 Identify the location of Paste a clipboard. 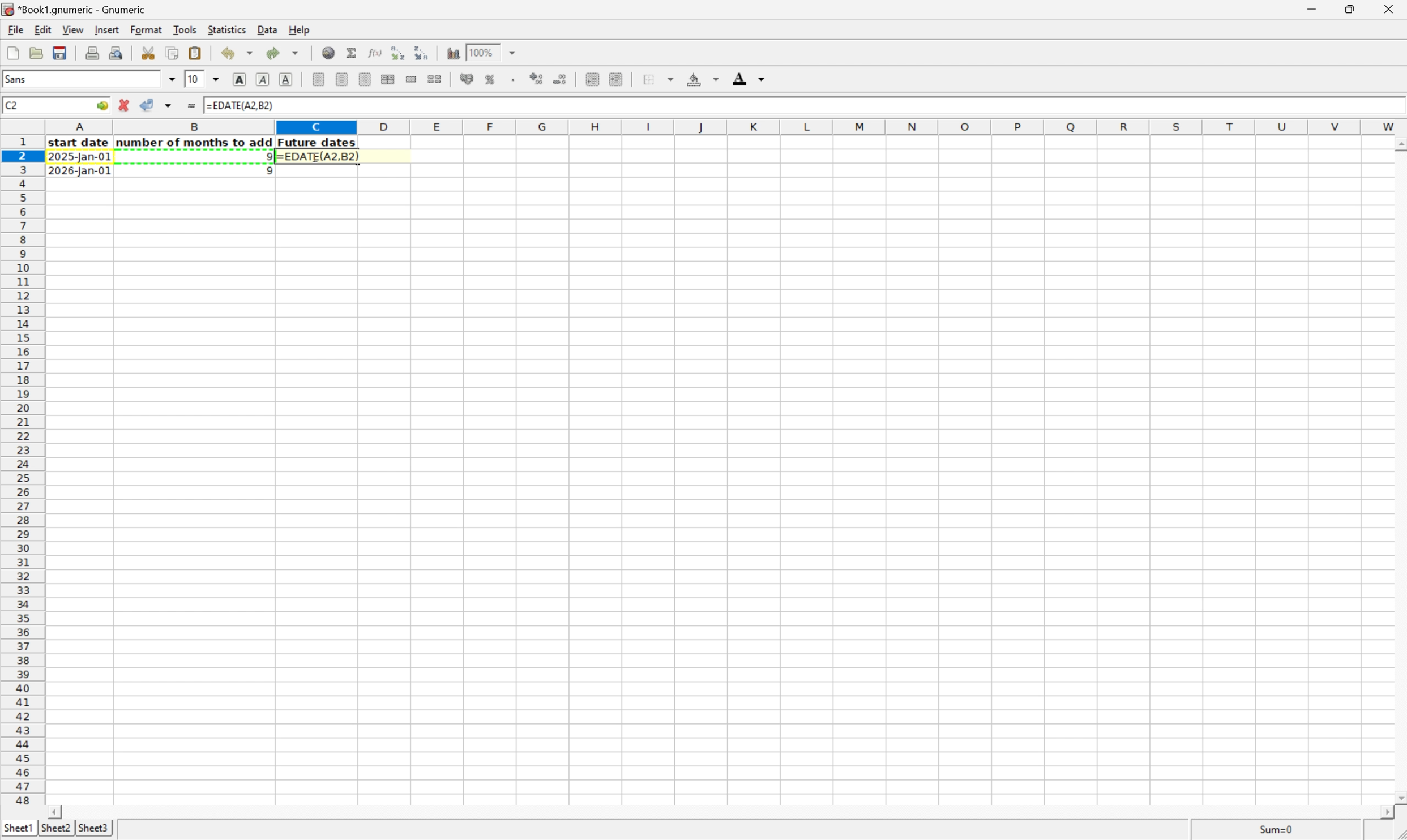
(196, 53).